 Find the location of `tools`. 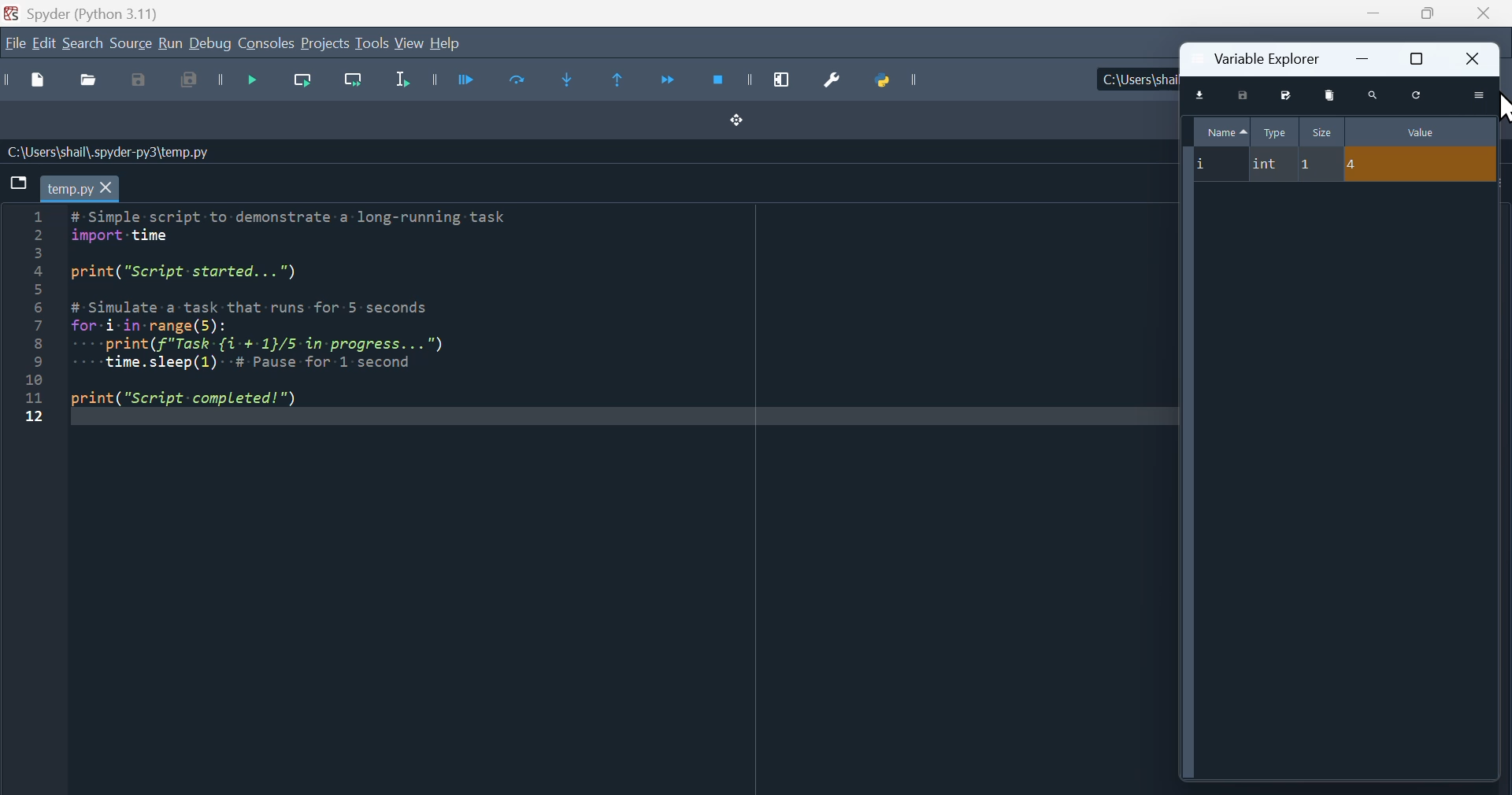

tools is located at coordinates (372, 43).